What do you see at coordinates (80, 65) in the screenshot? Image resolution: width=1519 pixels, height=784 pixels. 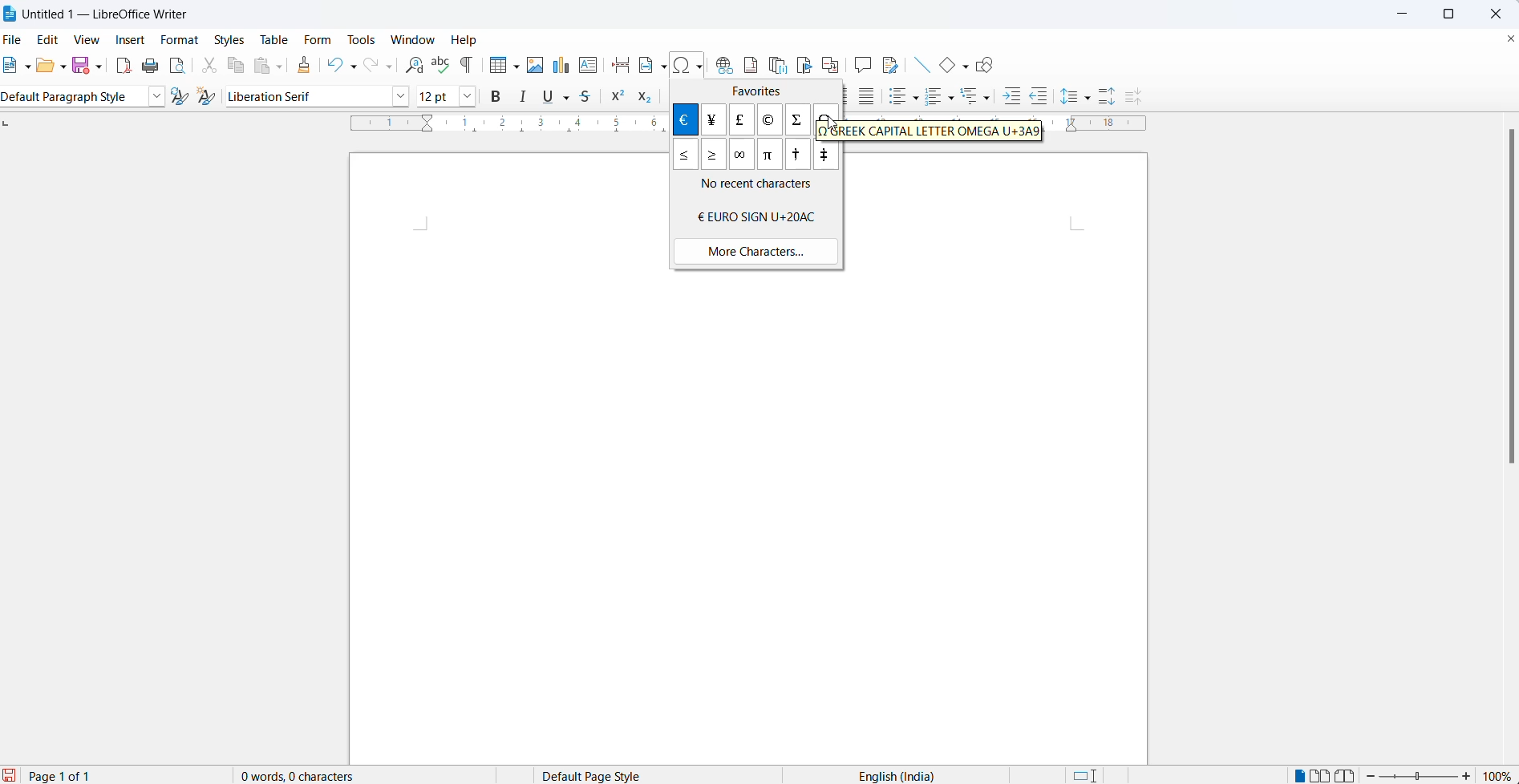 I see `save` at bounding box center [80, 65].